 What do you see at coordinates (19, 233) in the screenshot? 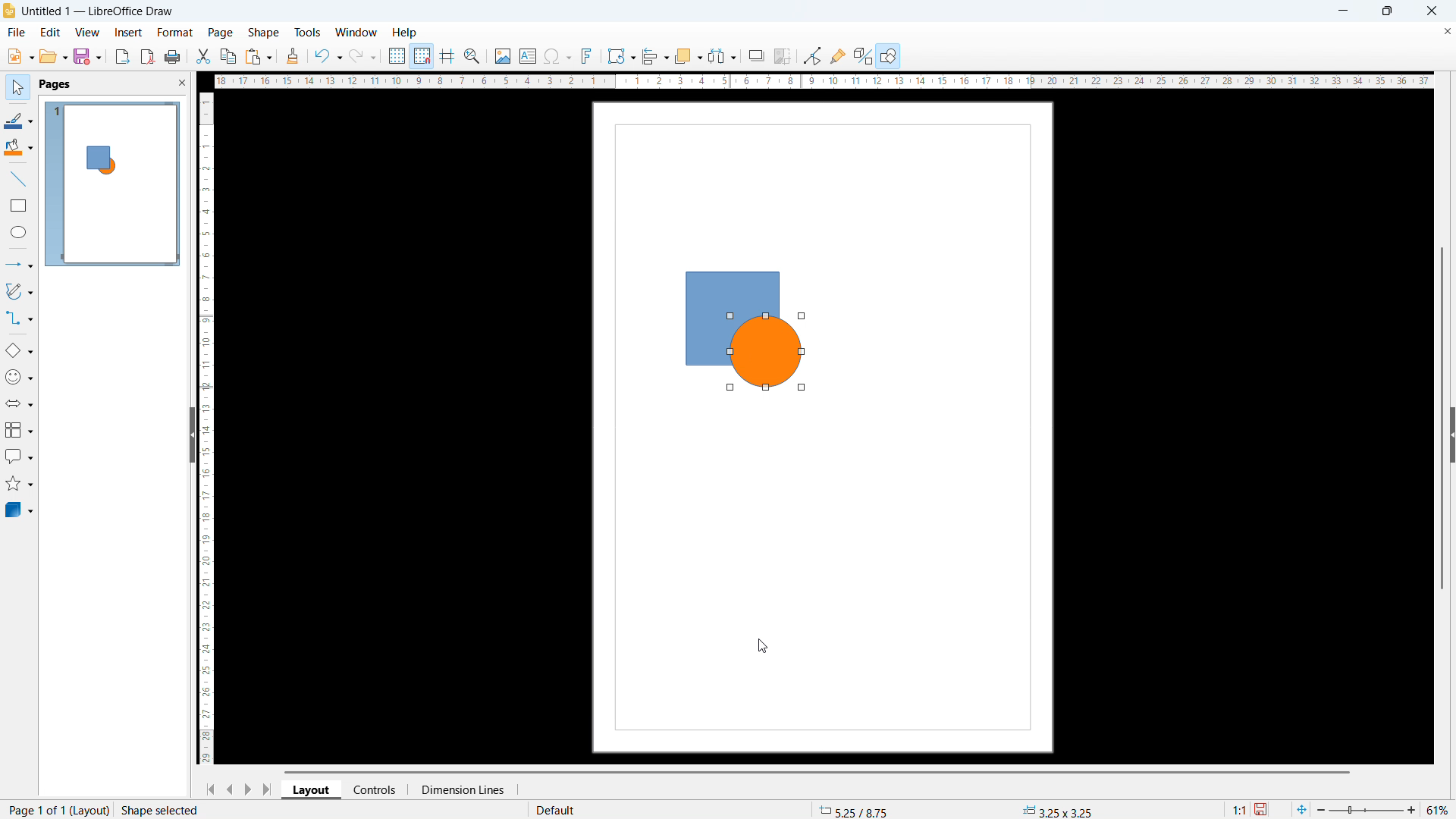
I see `Ellipse ` at bounding box center [19, 233].